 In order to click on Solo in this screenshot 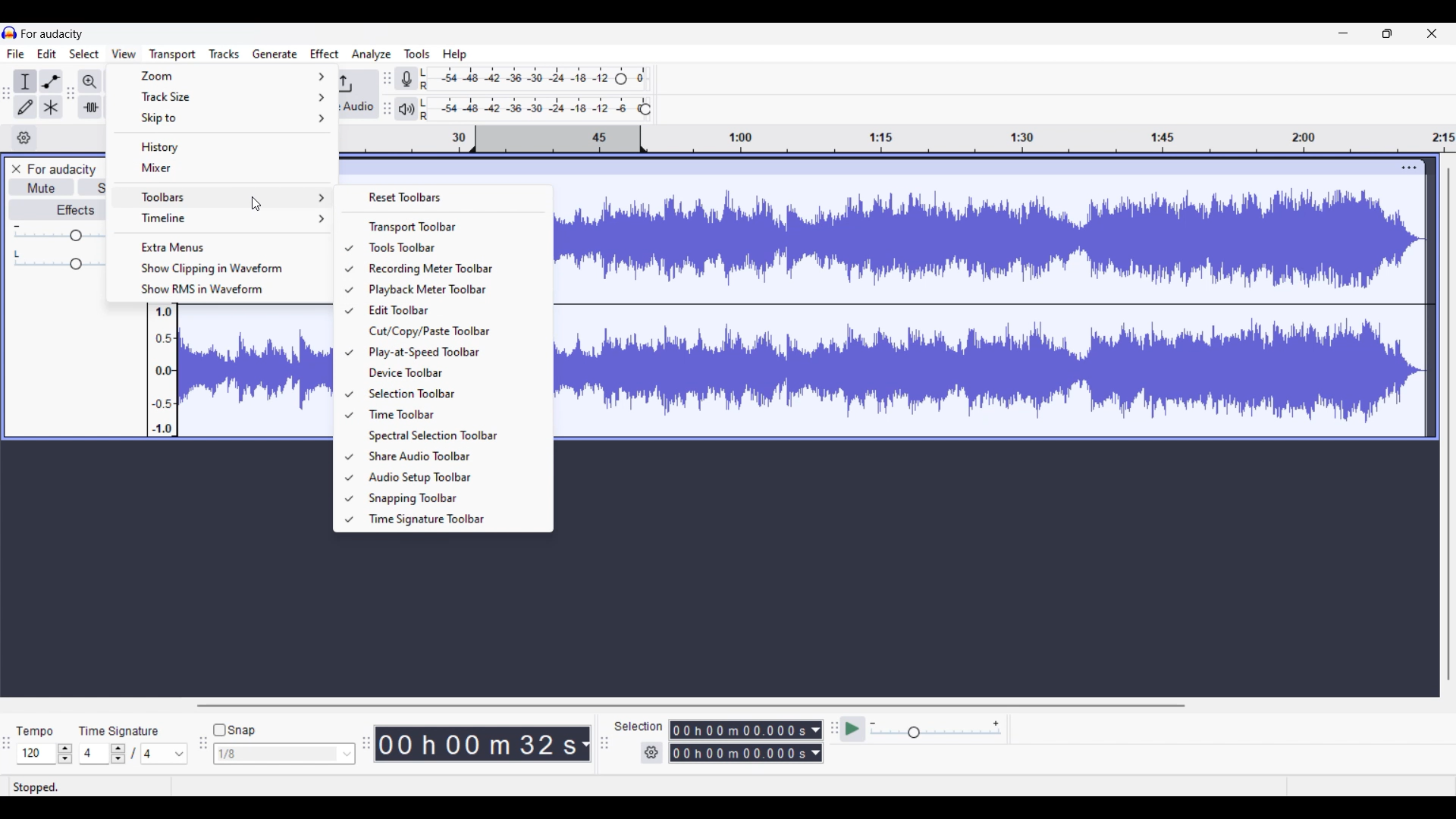, I will do `click(93, 187)`.